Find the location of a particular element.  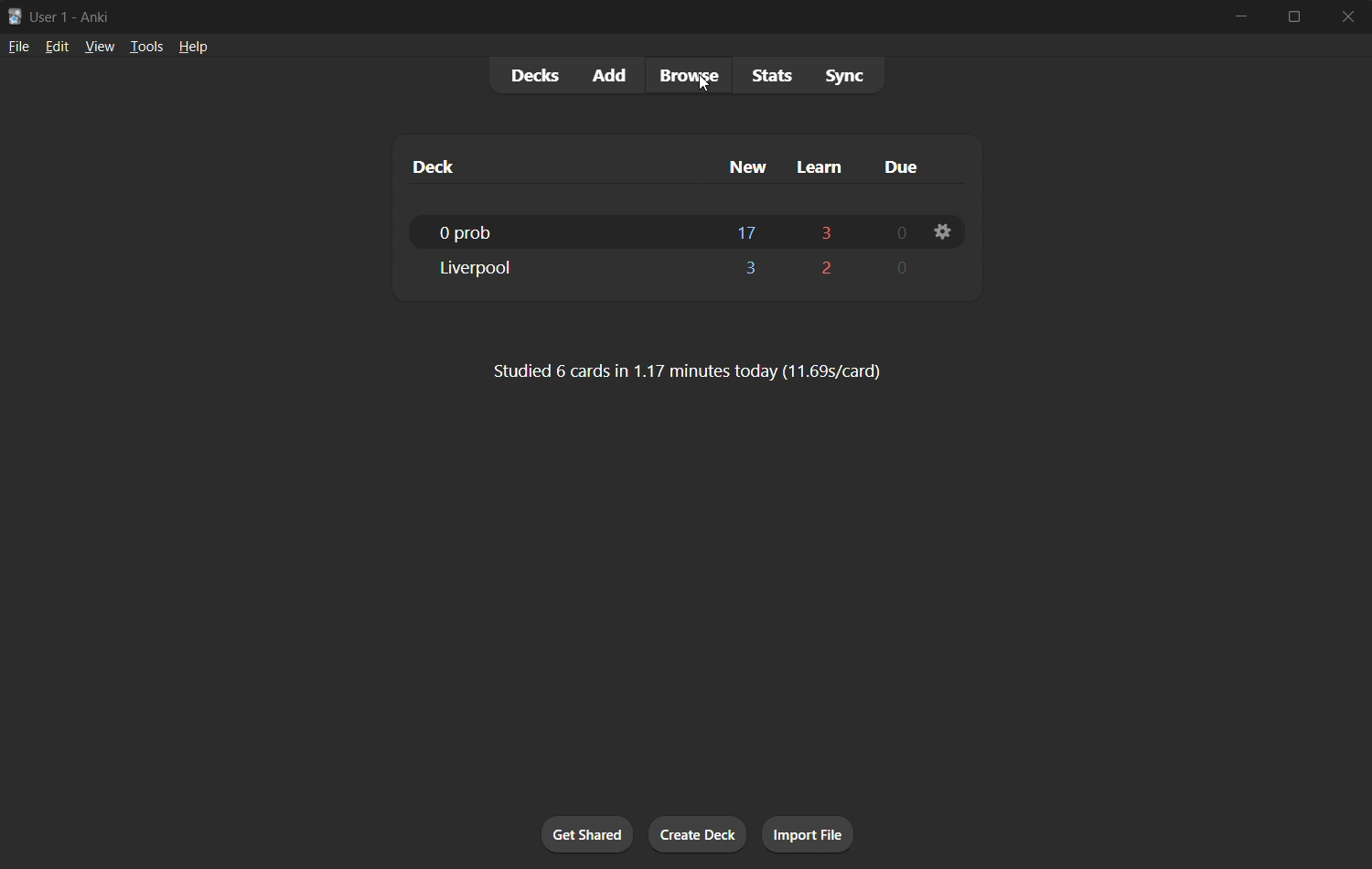

 settings  is located at coordinates (946, 233).